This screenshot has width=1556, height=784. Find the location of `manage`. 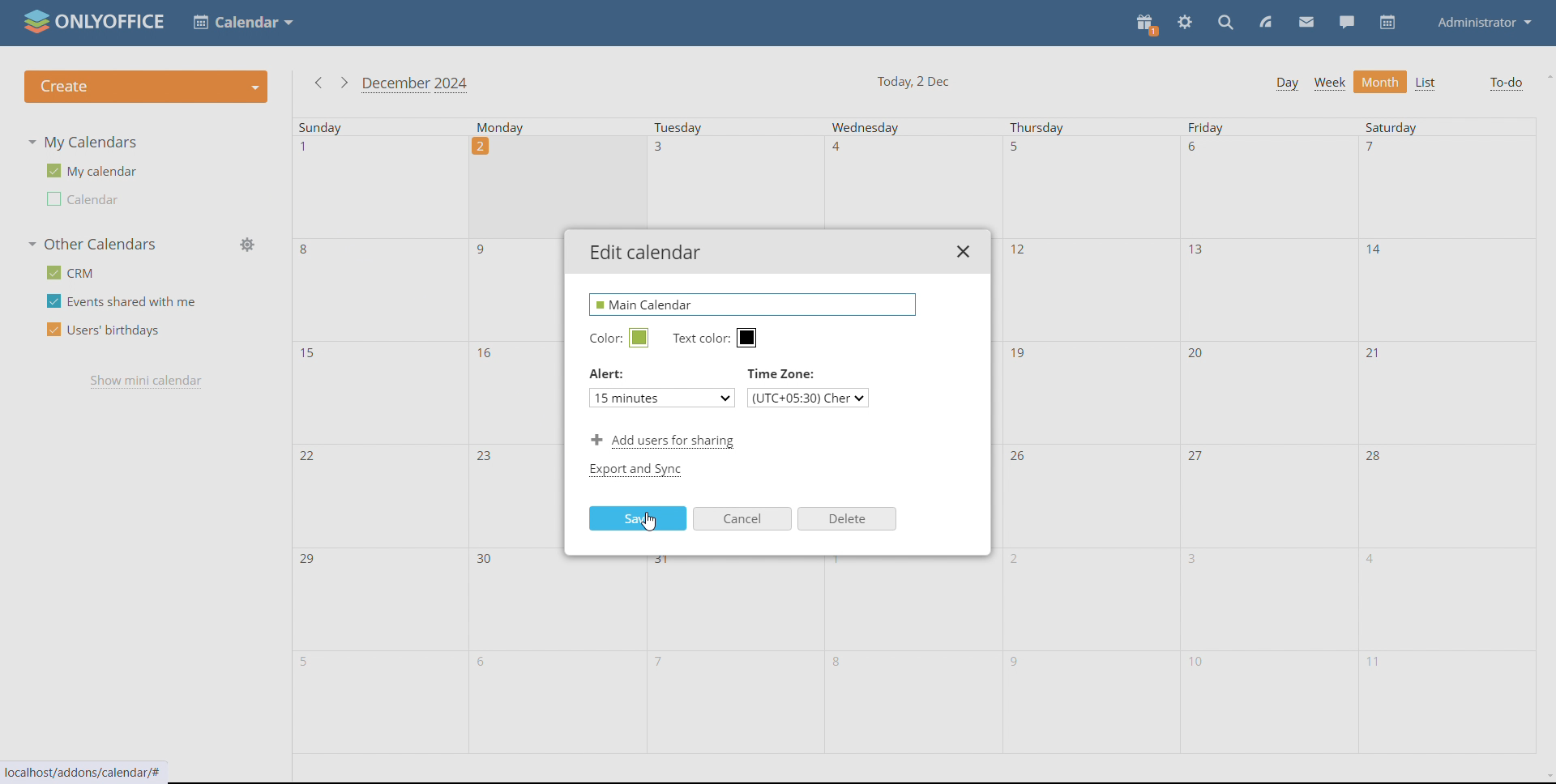

manage is located at coordinates (251, 245).